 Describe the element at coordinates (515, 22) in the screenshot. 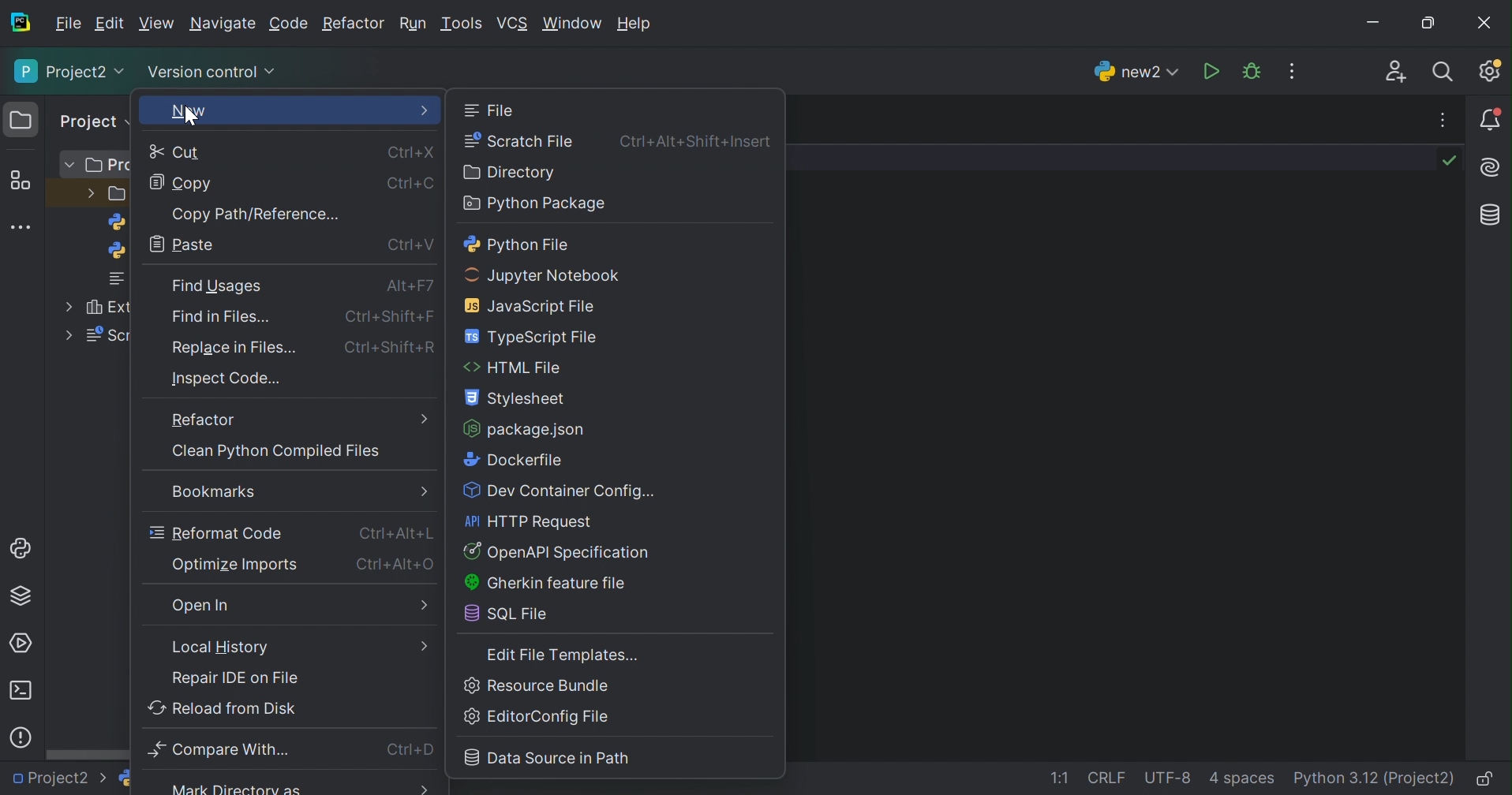

I see `VCS` at that location.